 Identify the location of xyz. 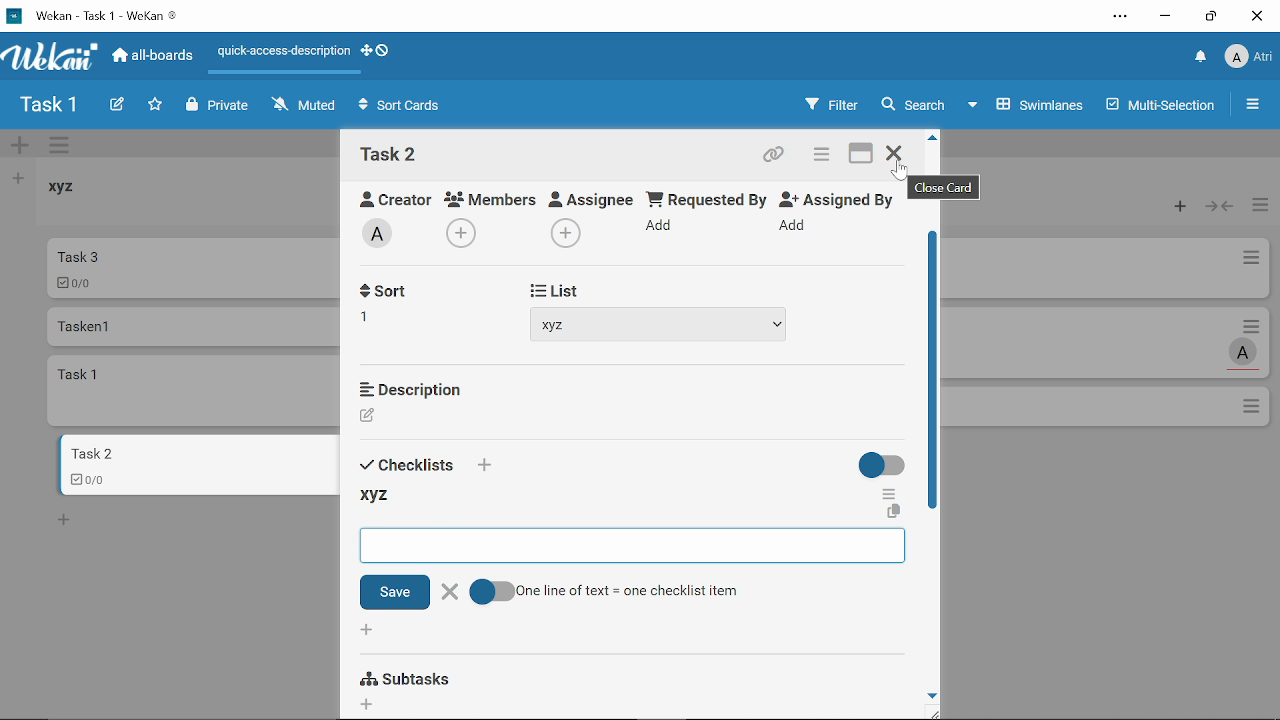
(663, 322).